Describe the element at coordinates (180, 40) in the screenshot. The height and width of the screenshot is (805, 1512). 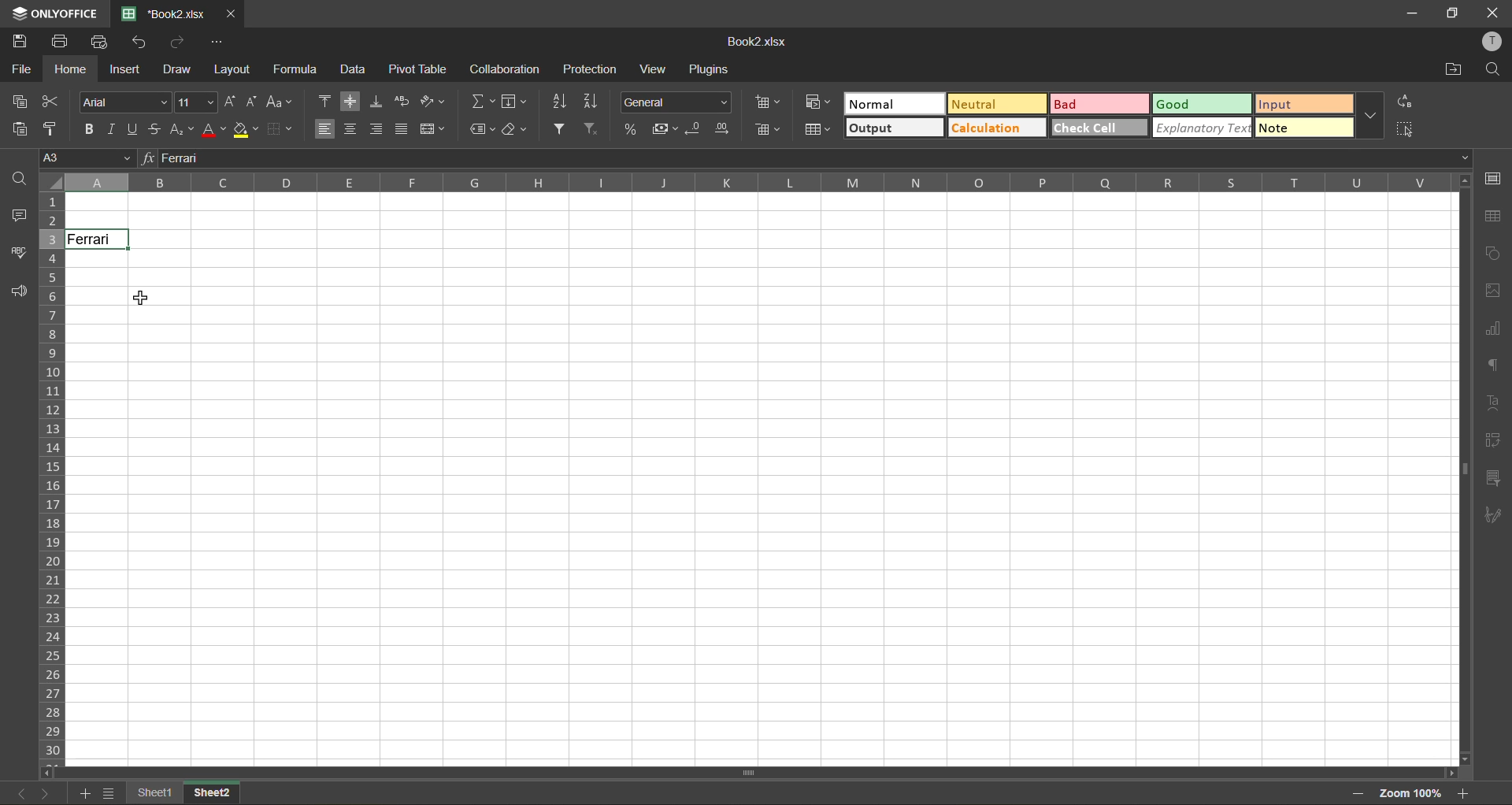
I see `redo` at that location.